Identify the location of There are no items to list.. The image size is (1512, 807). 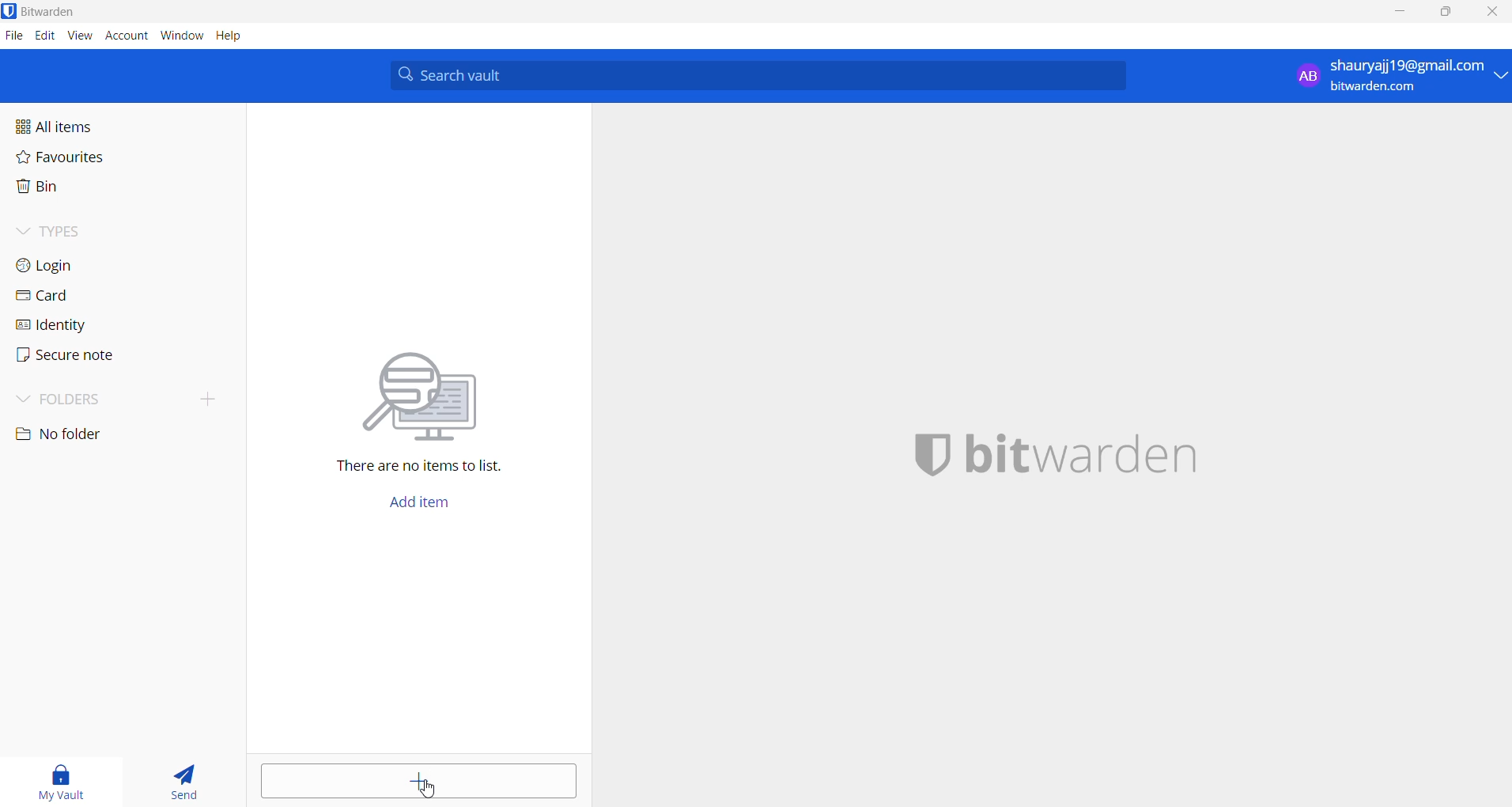
(427, 468).